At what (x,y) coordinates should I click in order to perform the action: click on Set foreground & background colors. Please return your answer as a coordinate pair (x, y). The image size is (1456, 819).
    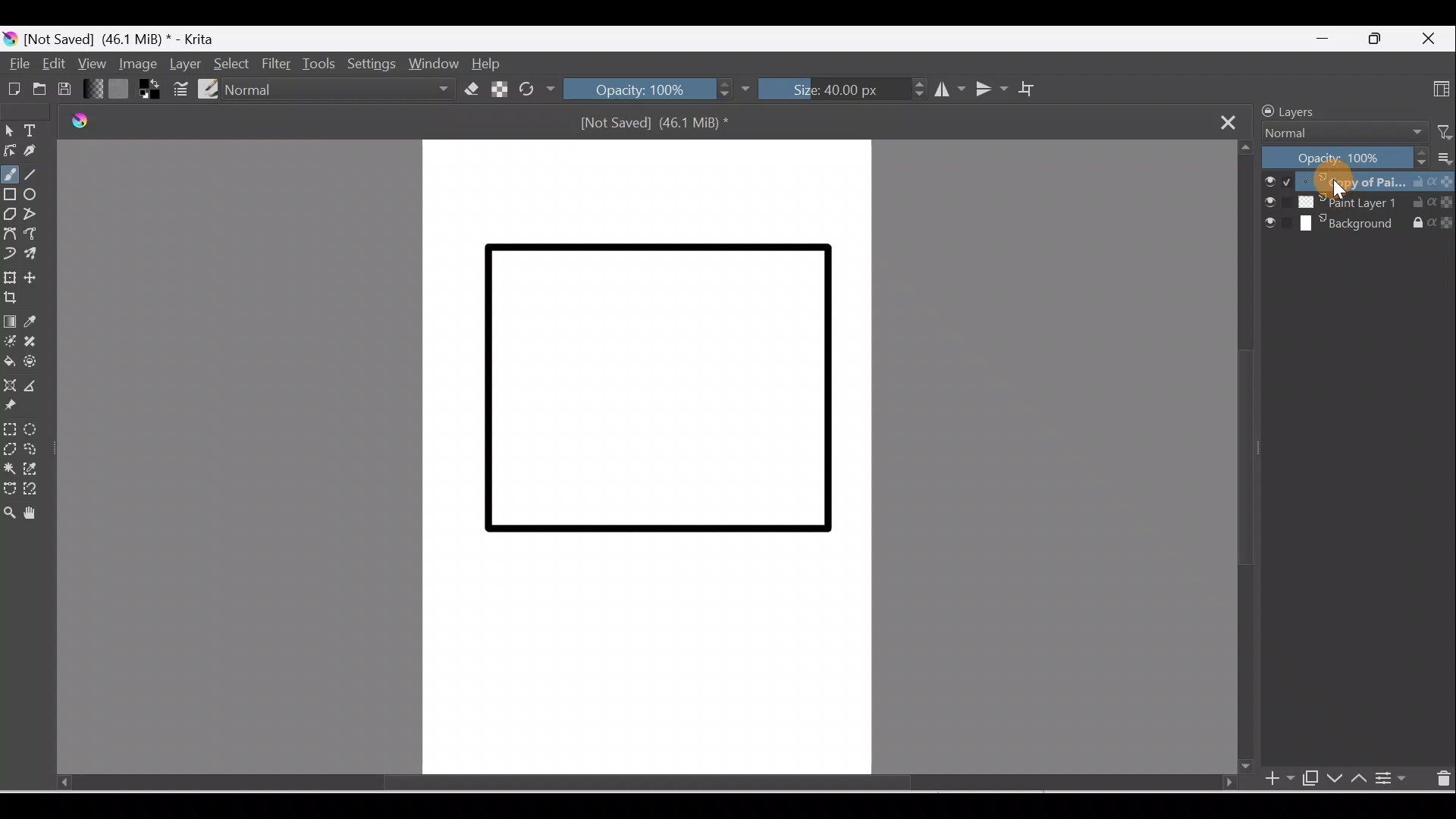
    Looking at the image, I should click on (149, 92).